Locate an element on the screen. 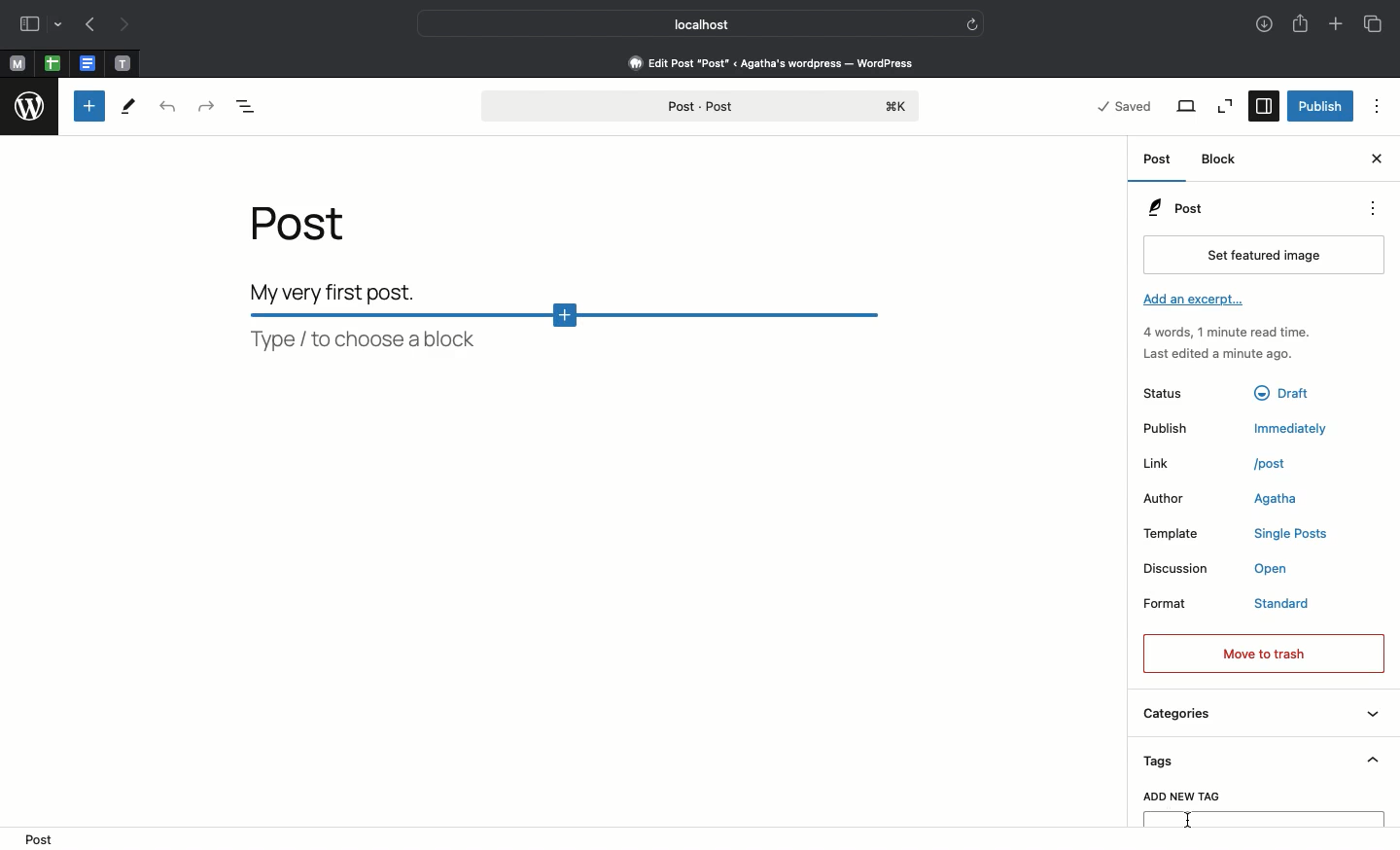 Image resolution: width=1400 pixels, height=850 pixels. wordpress logo is located at coordinates (30, 105).